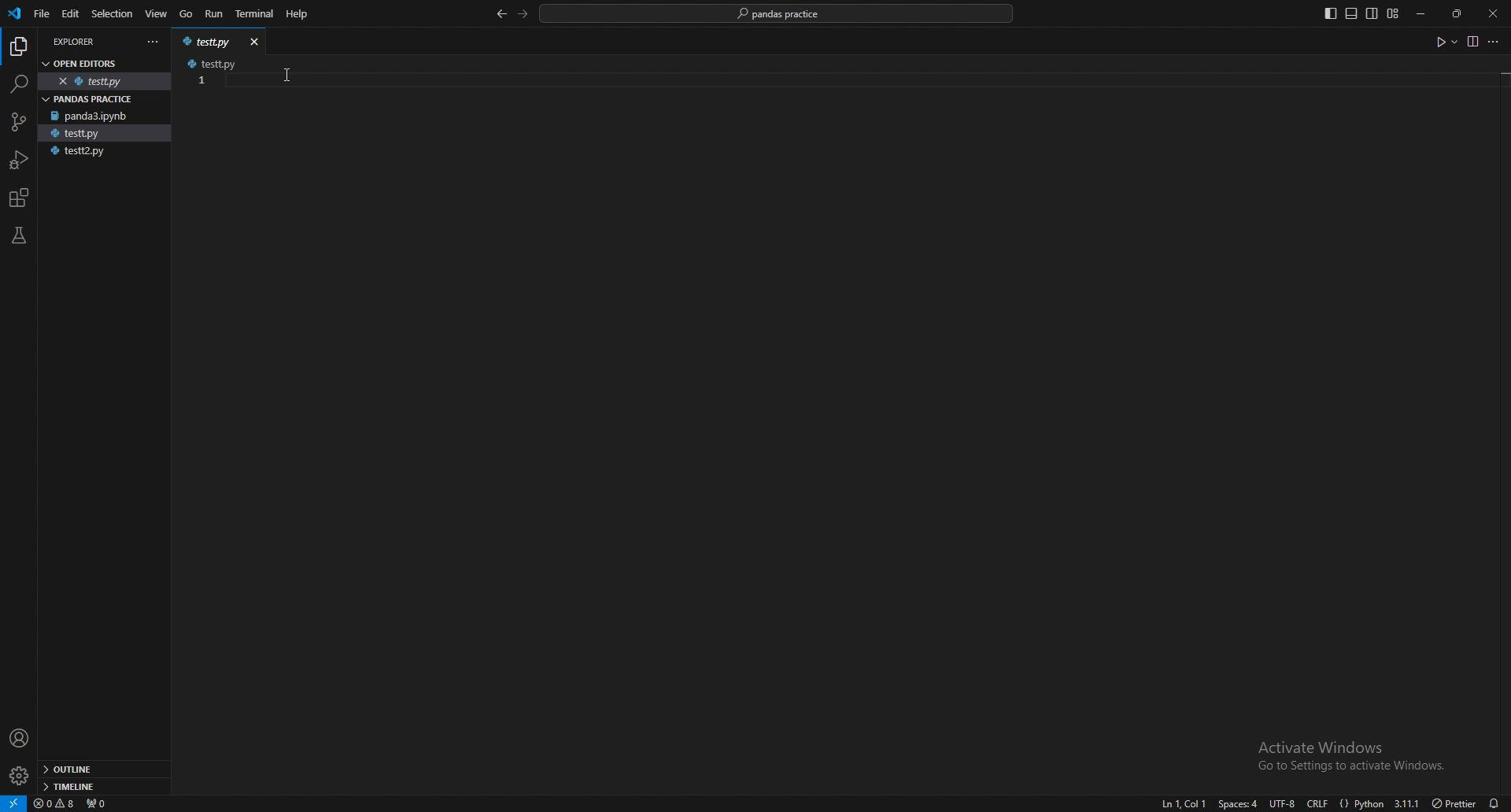 This screenshot has height=812, width=1511. Describe the element at coordinates (501, 15) in the screenshot. I see `back` at that location.